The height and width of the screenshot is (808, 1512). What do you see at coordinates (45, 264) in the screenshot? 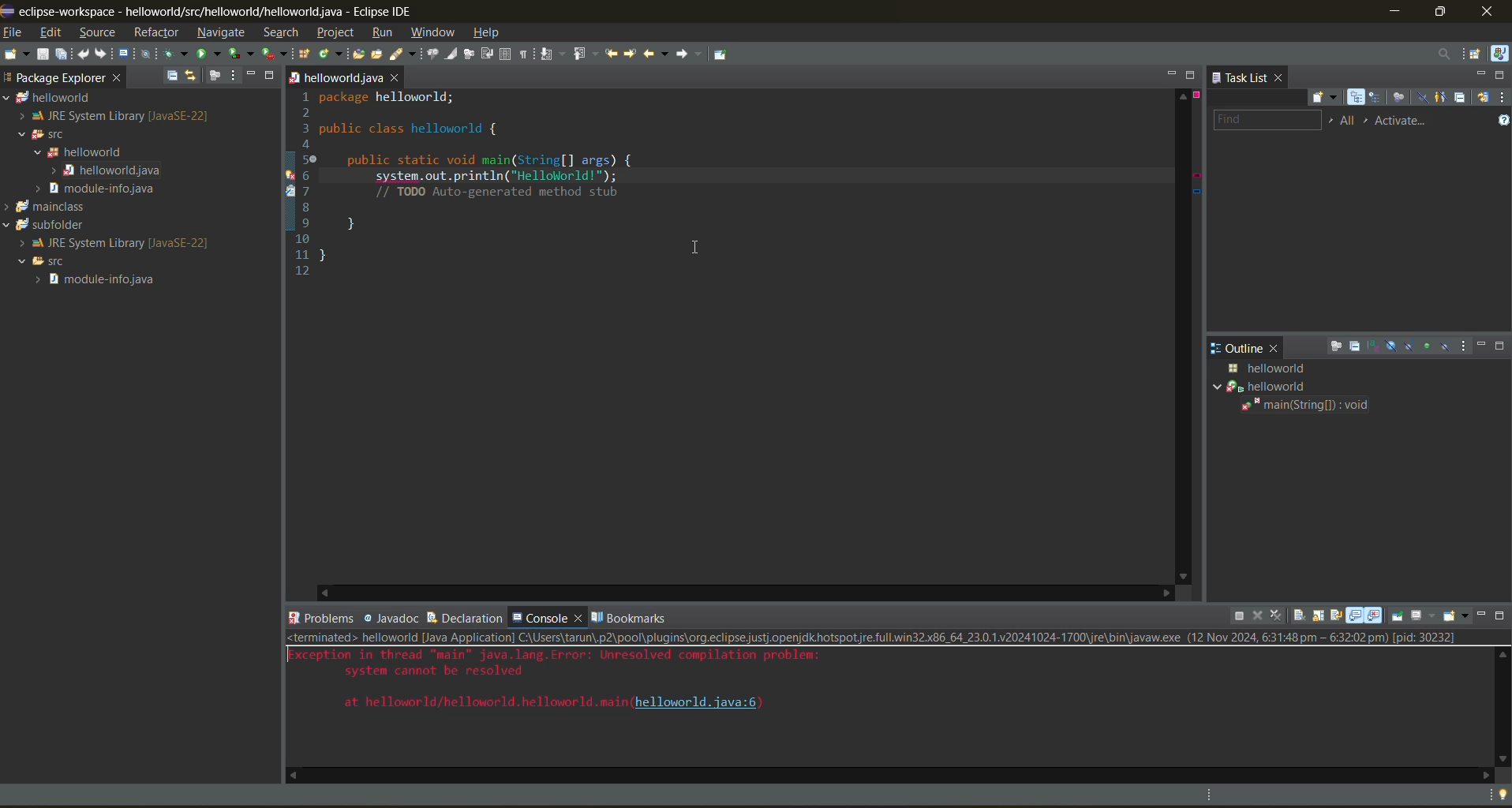
I see `SFC` at bounding box center [45, 264].